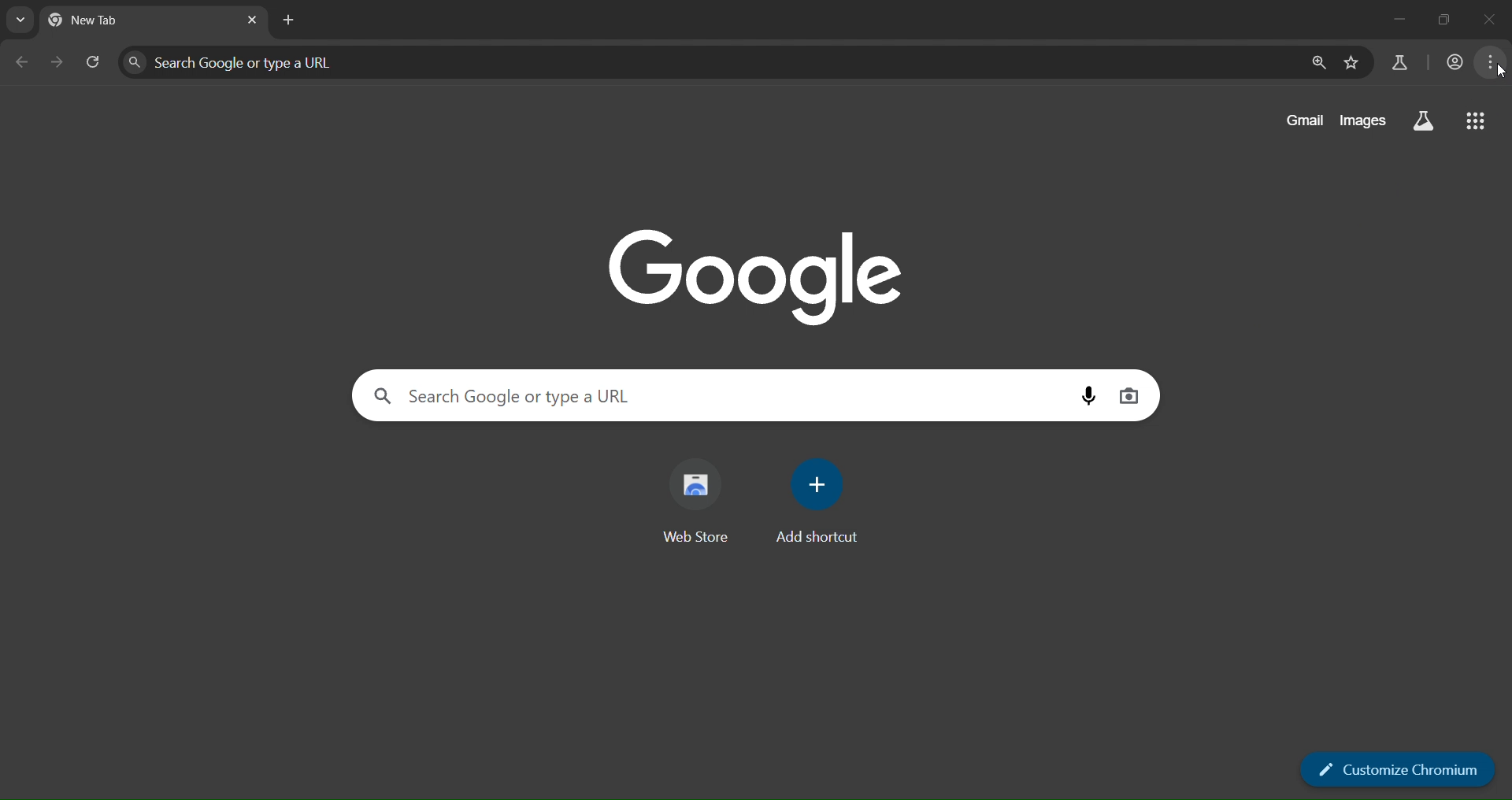 This screenshot has height=800, width=1512. I want to click on Cursor, so click(1500, 72).